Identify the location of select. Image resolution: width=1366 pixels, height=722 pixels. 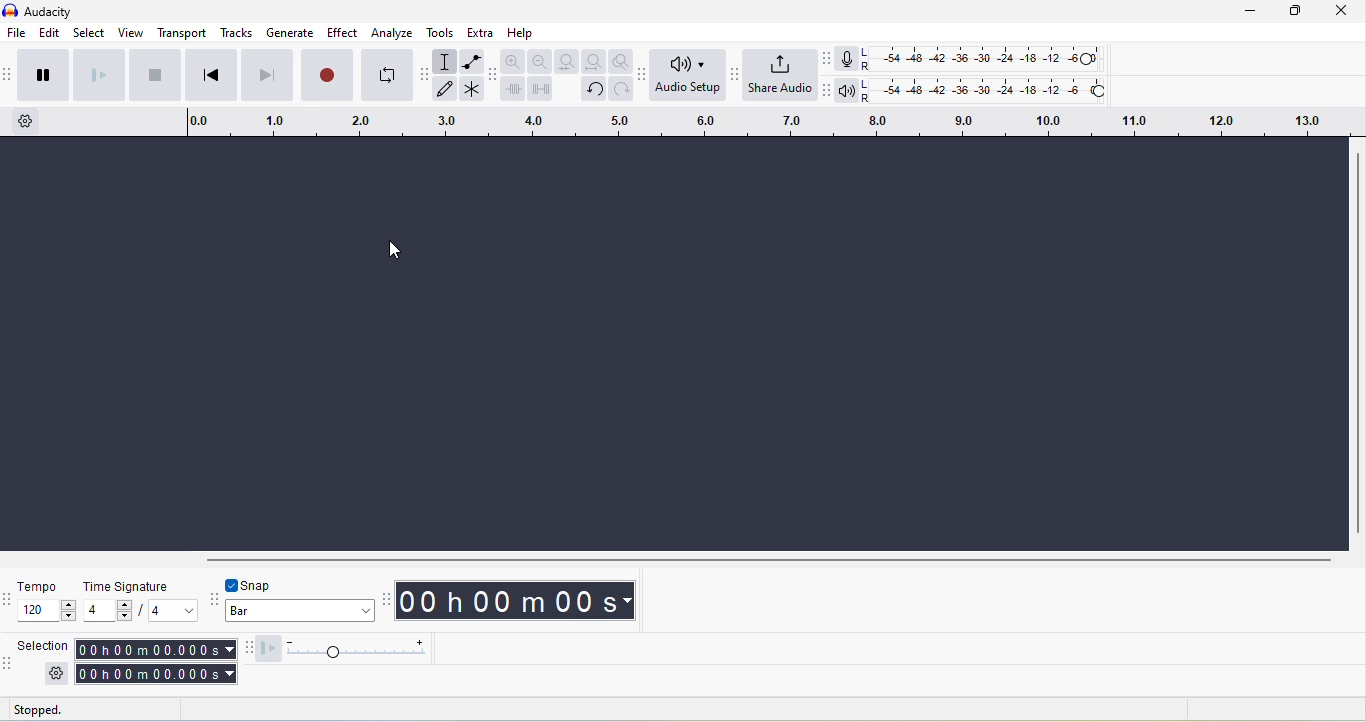
(88, 32).